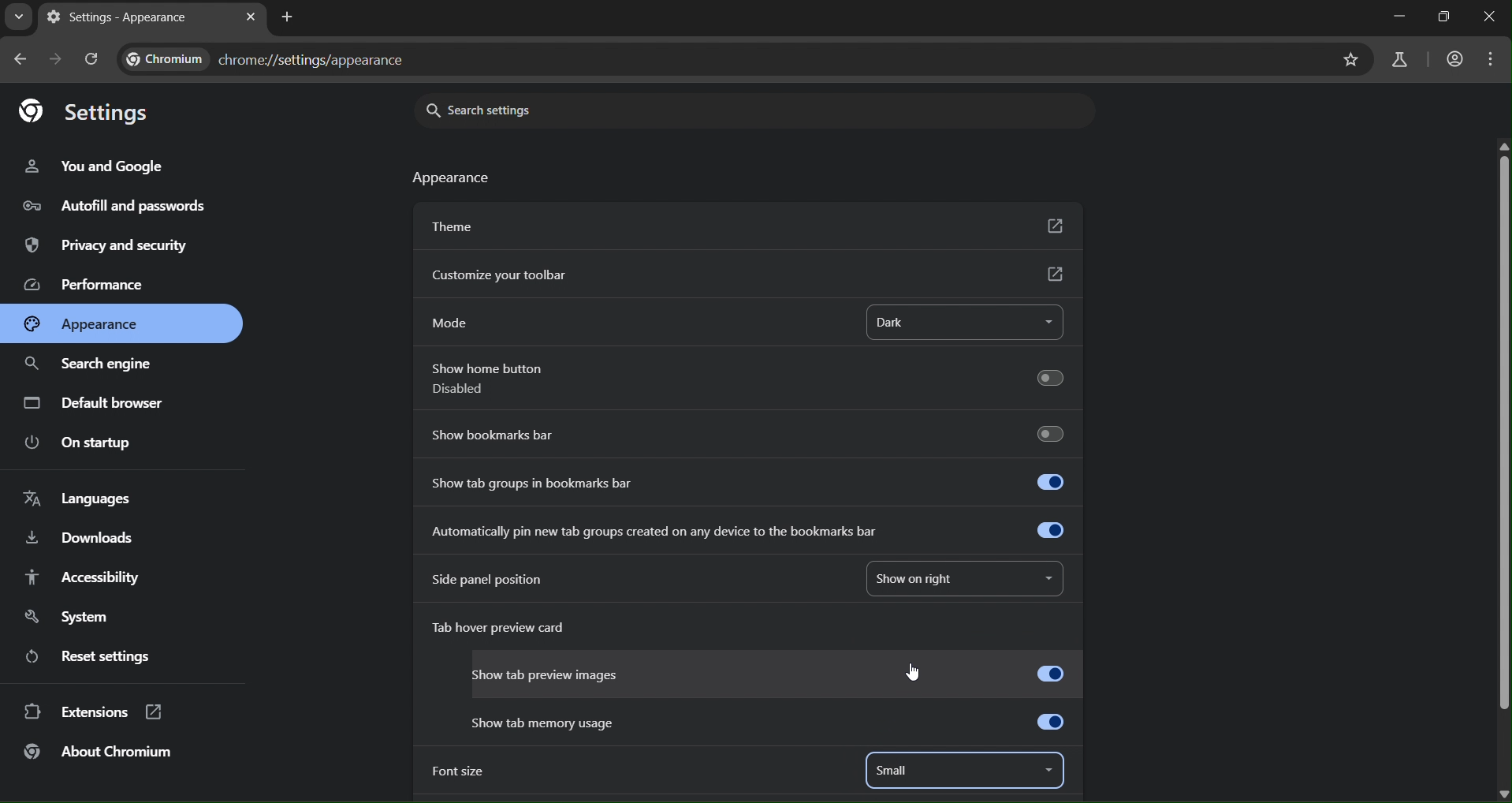  What do you see at coordinates (110, 18) in the screenshot?
I see `current tab` at bounding box center [110, 18].